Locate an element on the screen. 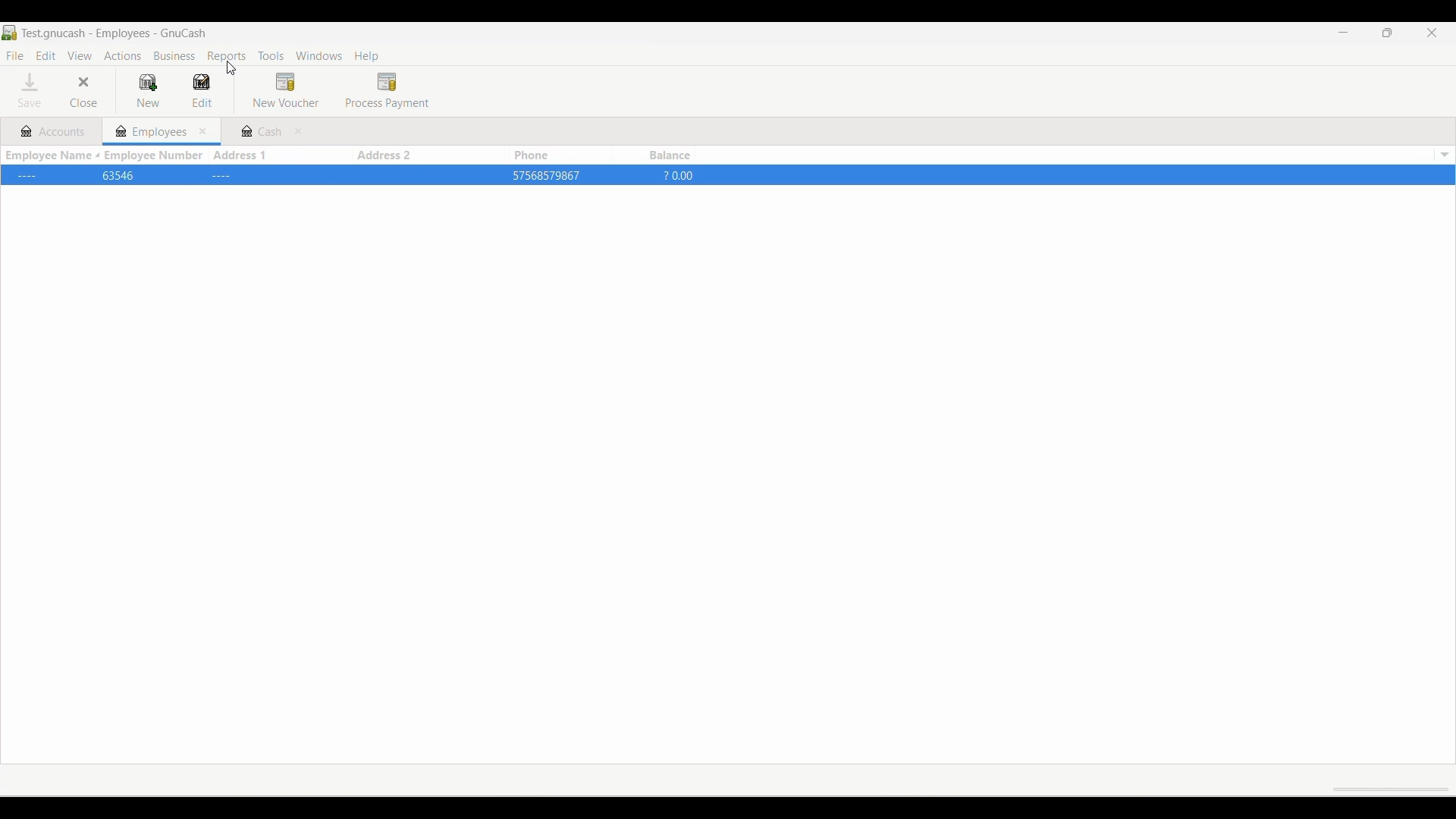 The height and width of the screenshot is (819, 1456). Phone column is located at coordinates (560, 155).